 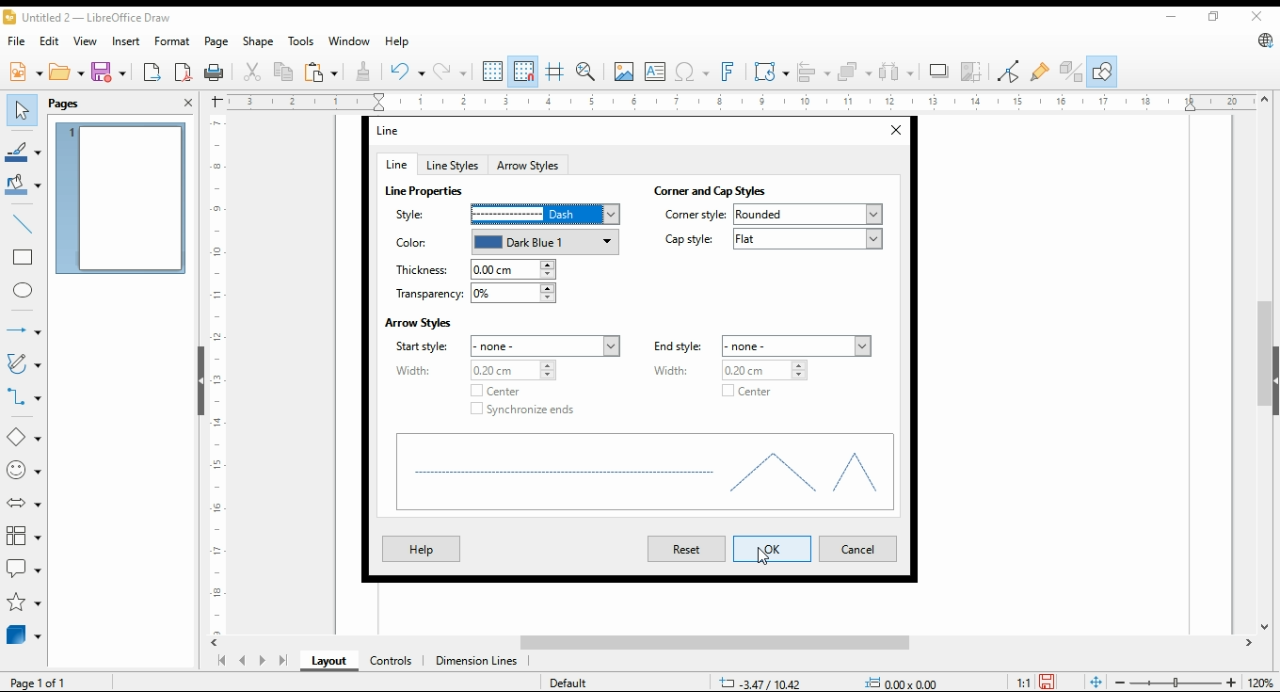 I want to click on shape, so click(x=259, y=41).